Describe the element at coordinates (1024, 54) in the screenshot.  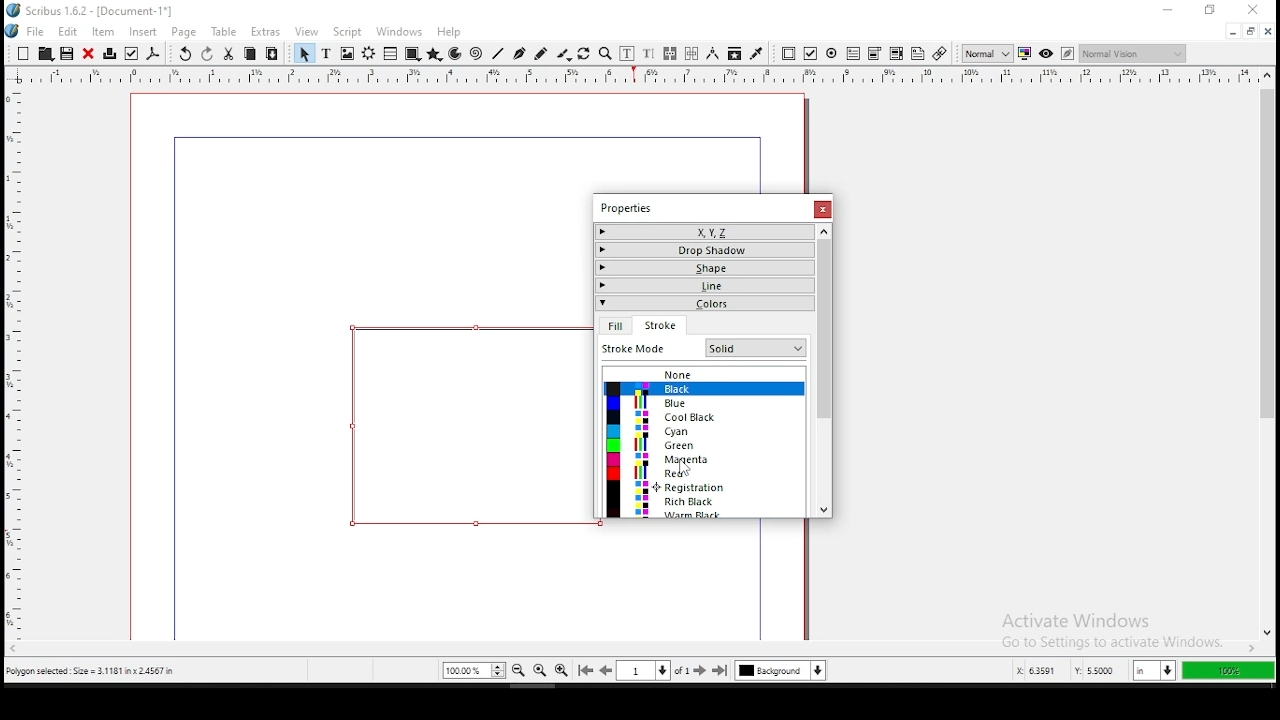
I see `toggle color management system` at that location.